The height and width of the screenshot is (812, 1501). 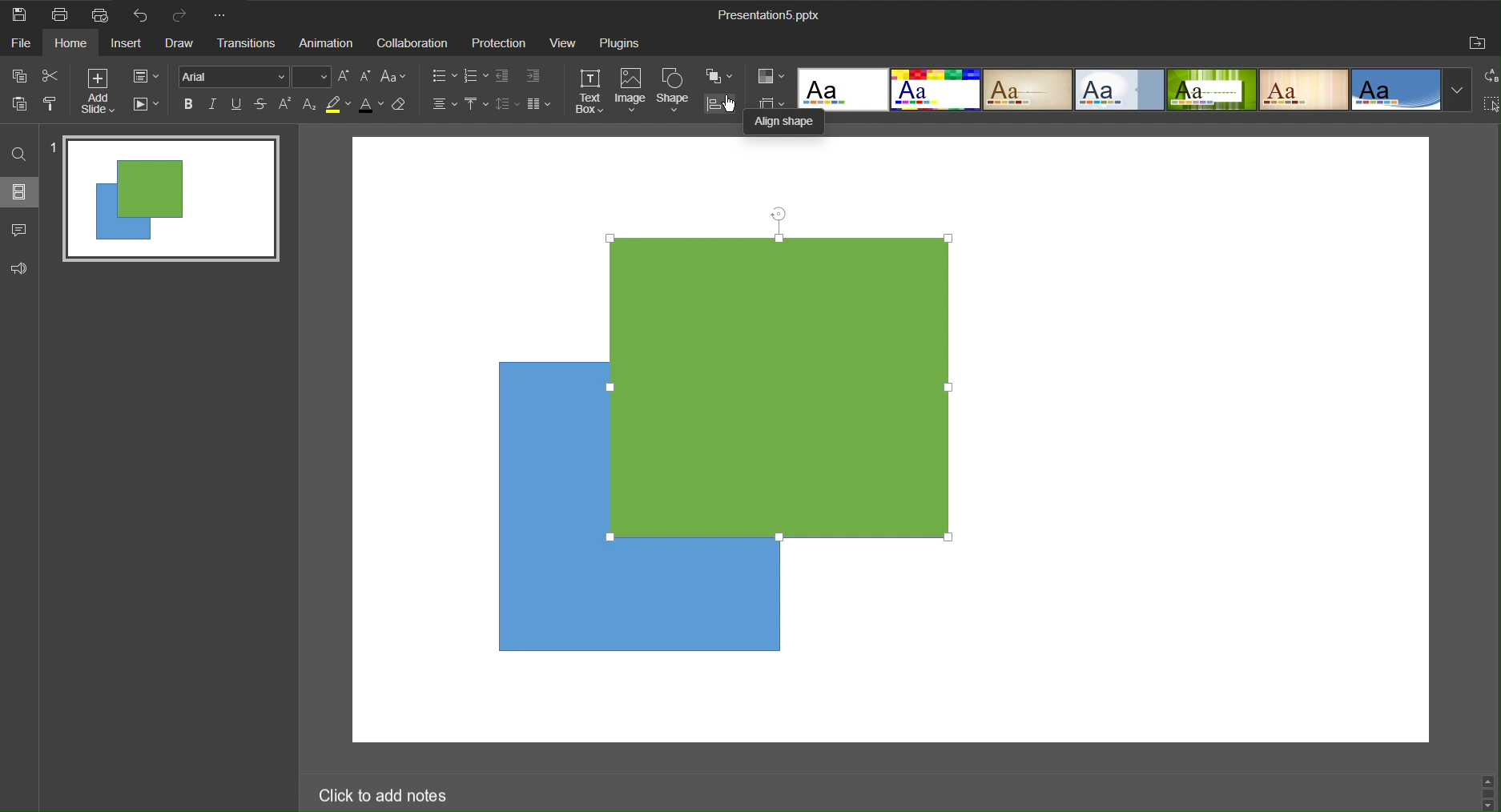 What do you see at coordinates (133, 44) in the screenshot?
I see `Insert` at bounding box center [133, 44].